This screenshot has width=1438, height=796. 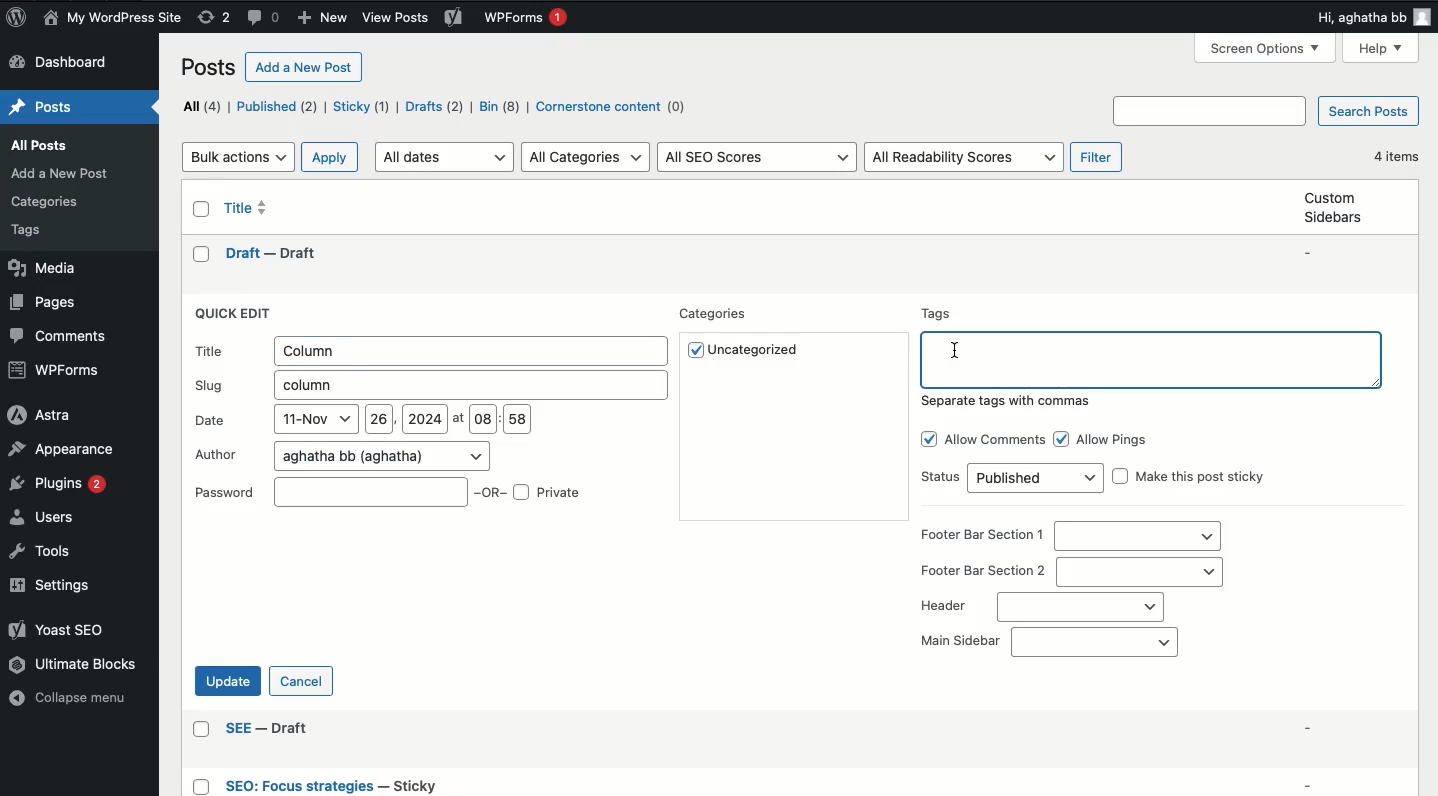 I want to click on All, so click(x=200, y=105).